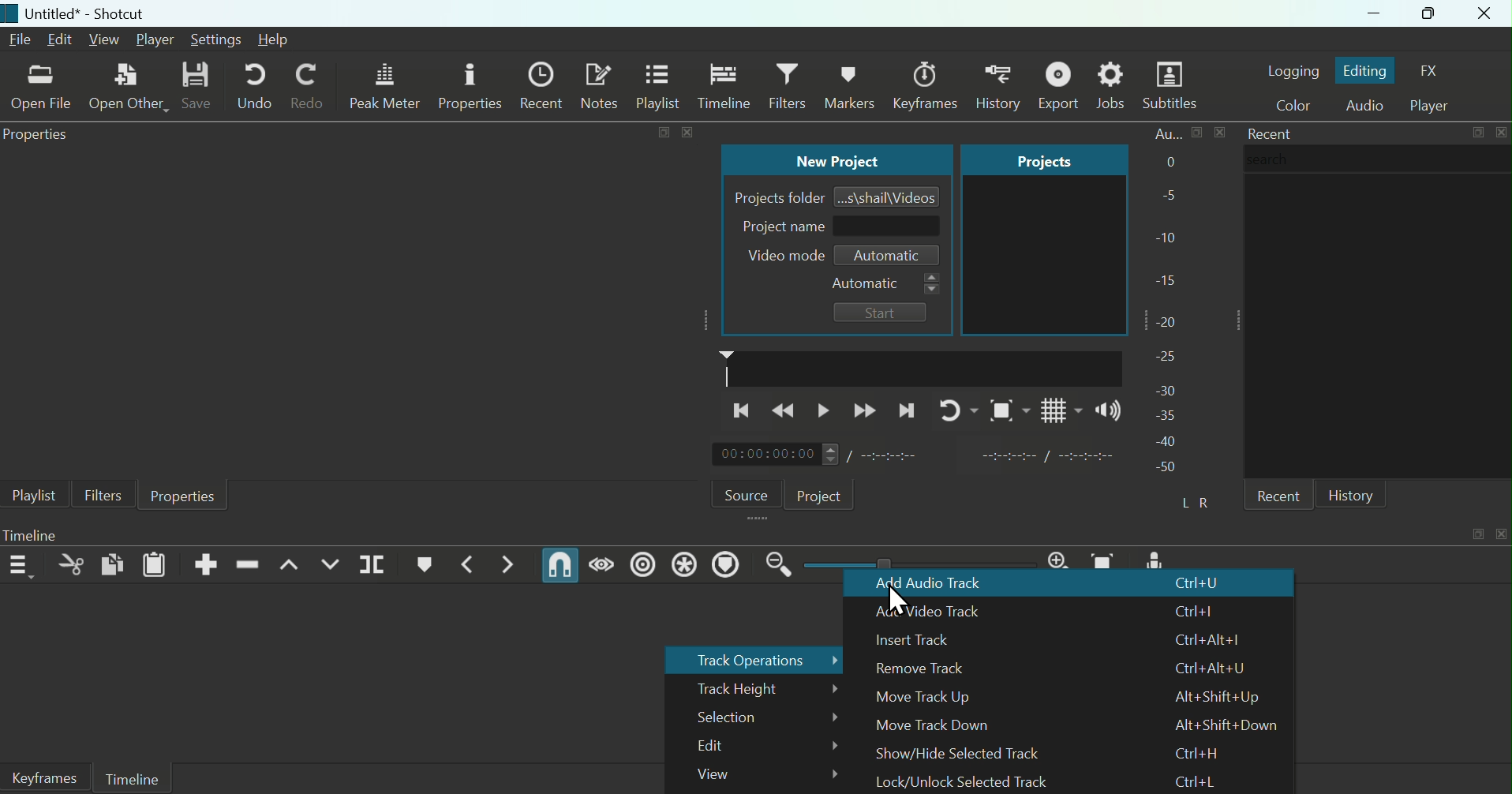 This screenshot has height=794, width=1512. I want to click on -20, so click(1171, 320).